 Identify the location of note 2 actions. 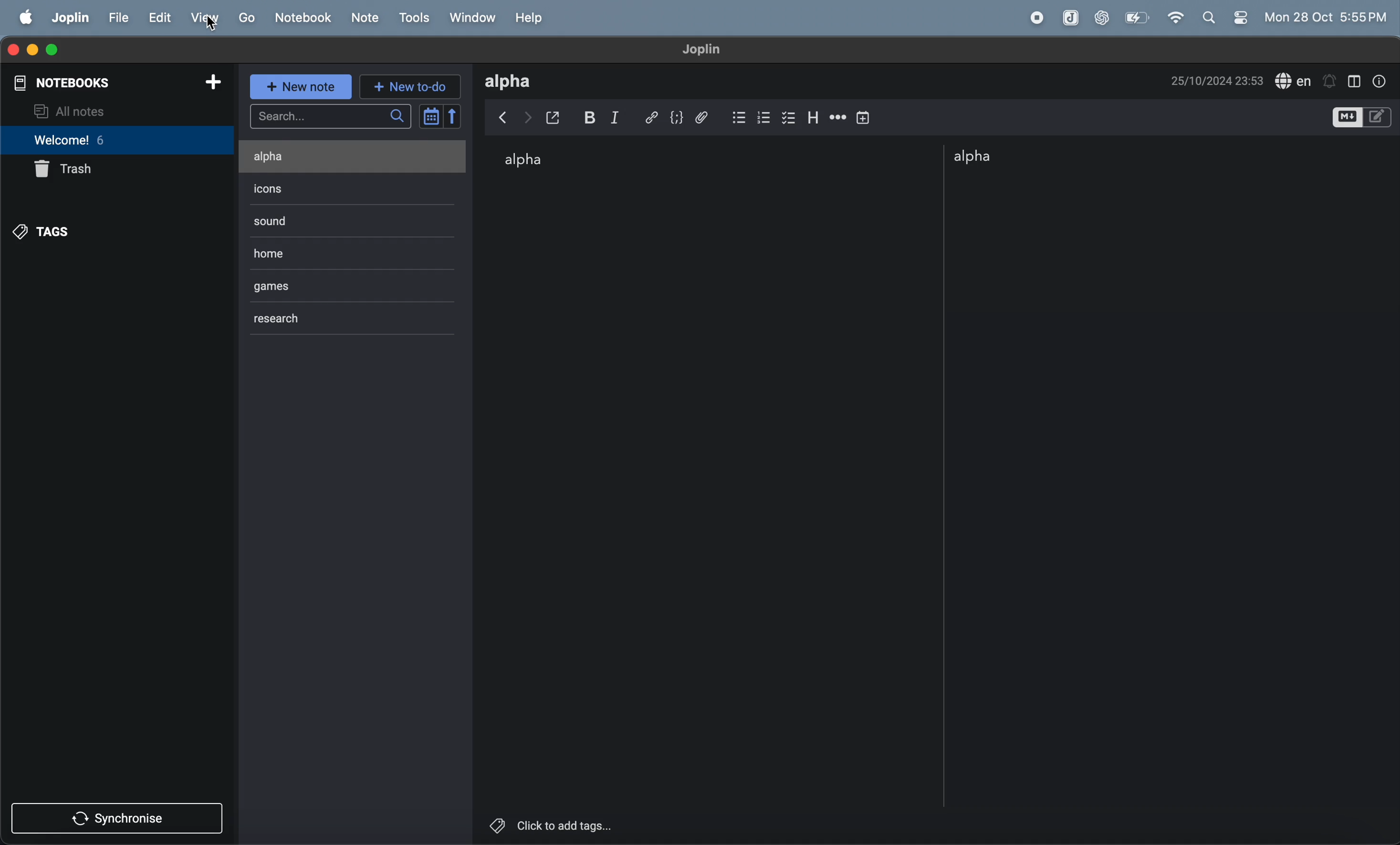
(293, 188).